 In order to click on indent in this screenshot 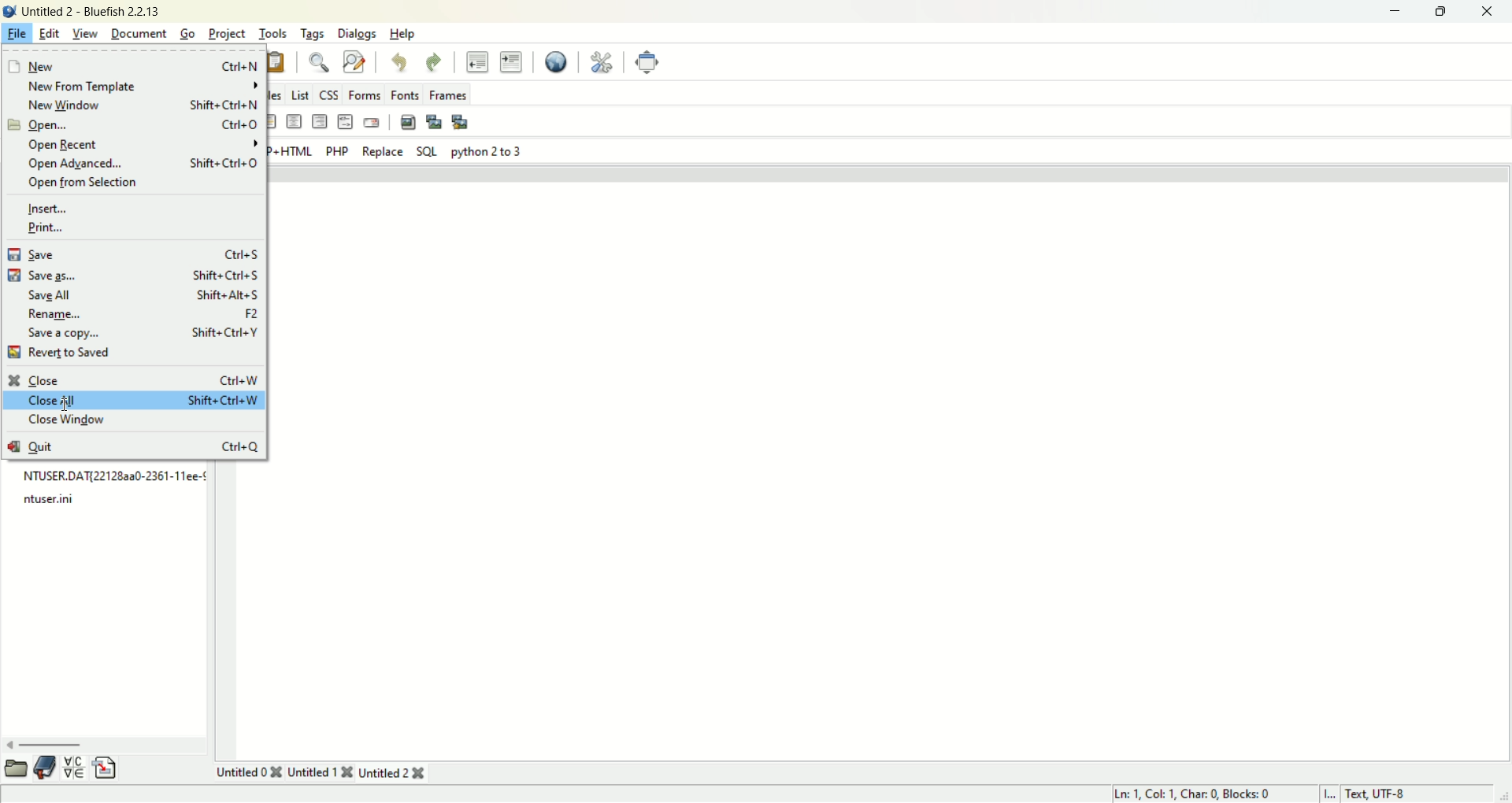, I will do `click(512, 61)`.